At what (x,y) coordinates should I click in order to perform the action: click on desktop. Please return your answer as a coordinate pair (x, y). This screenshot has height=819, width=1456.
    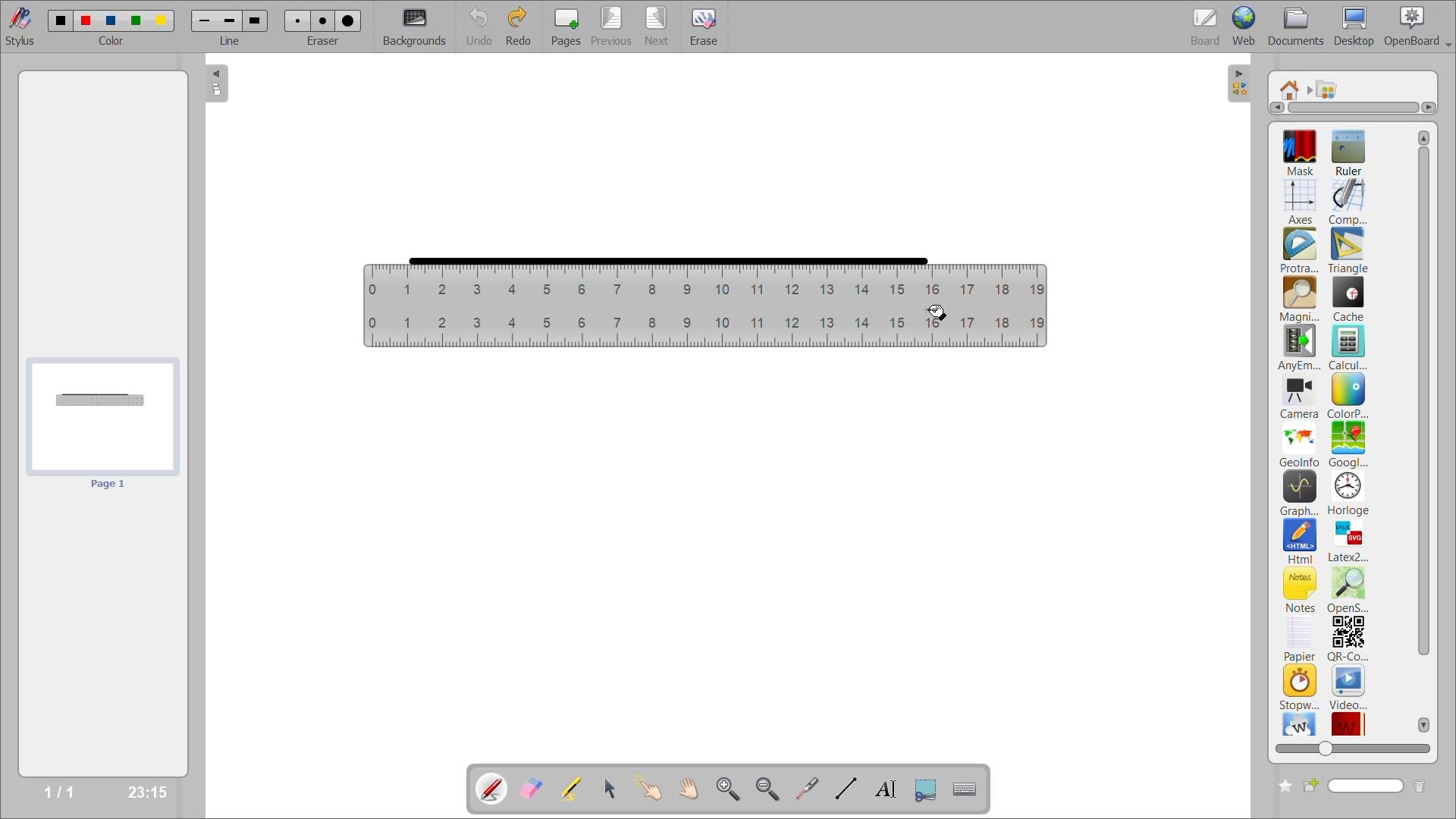
    Looking at the image, I should click on (1355, 26).